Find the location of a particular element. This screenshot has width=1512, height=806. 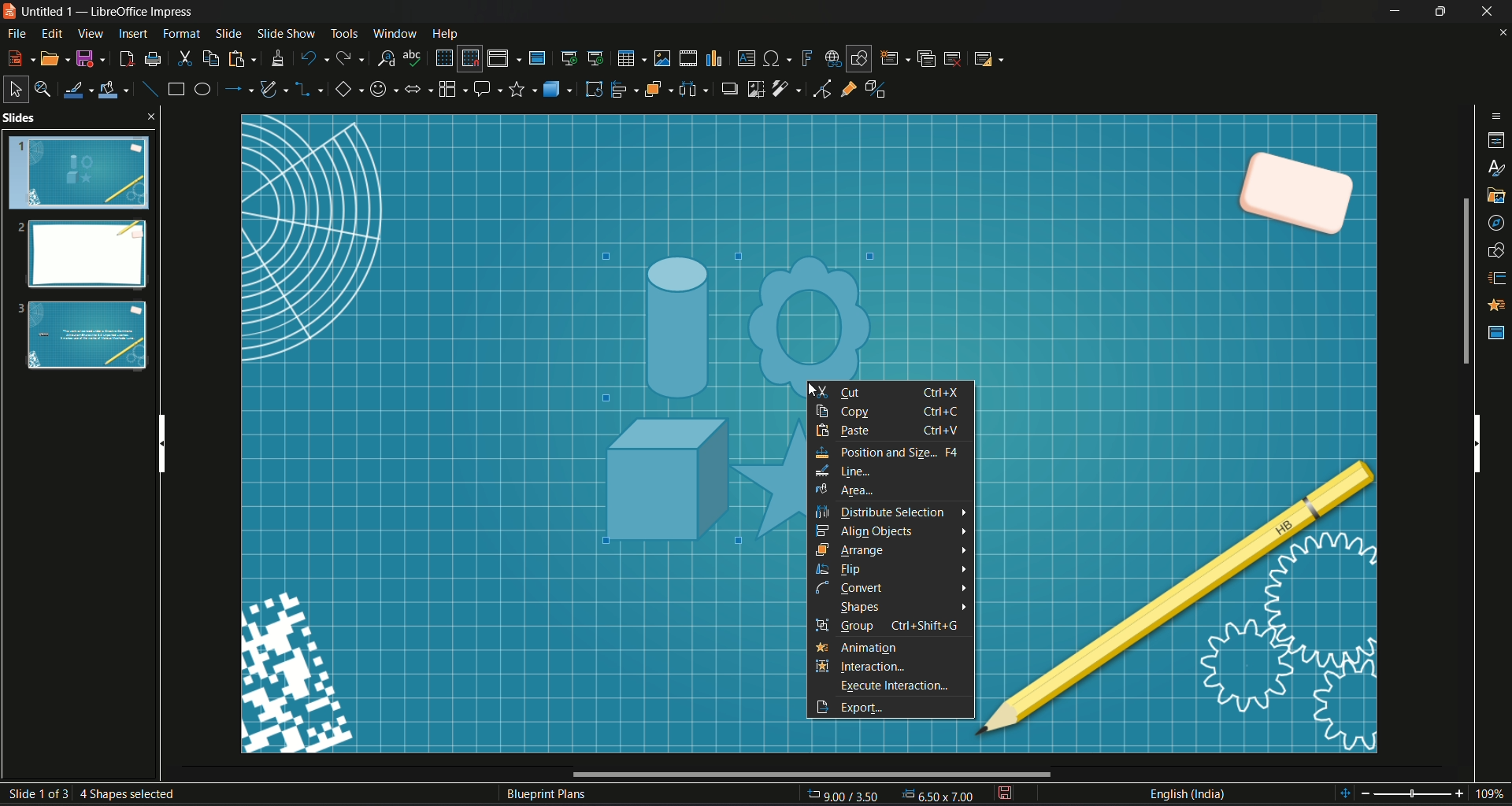

3D objects is located at coordinates (559, 88).